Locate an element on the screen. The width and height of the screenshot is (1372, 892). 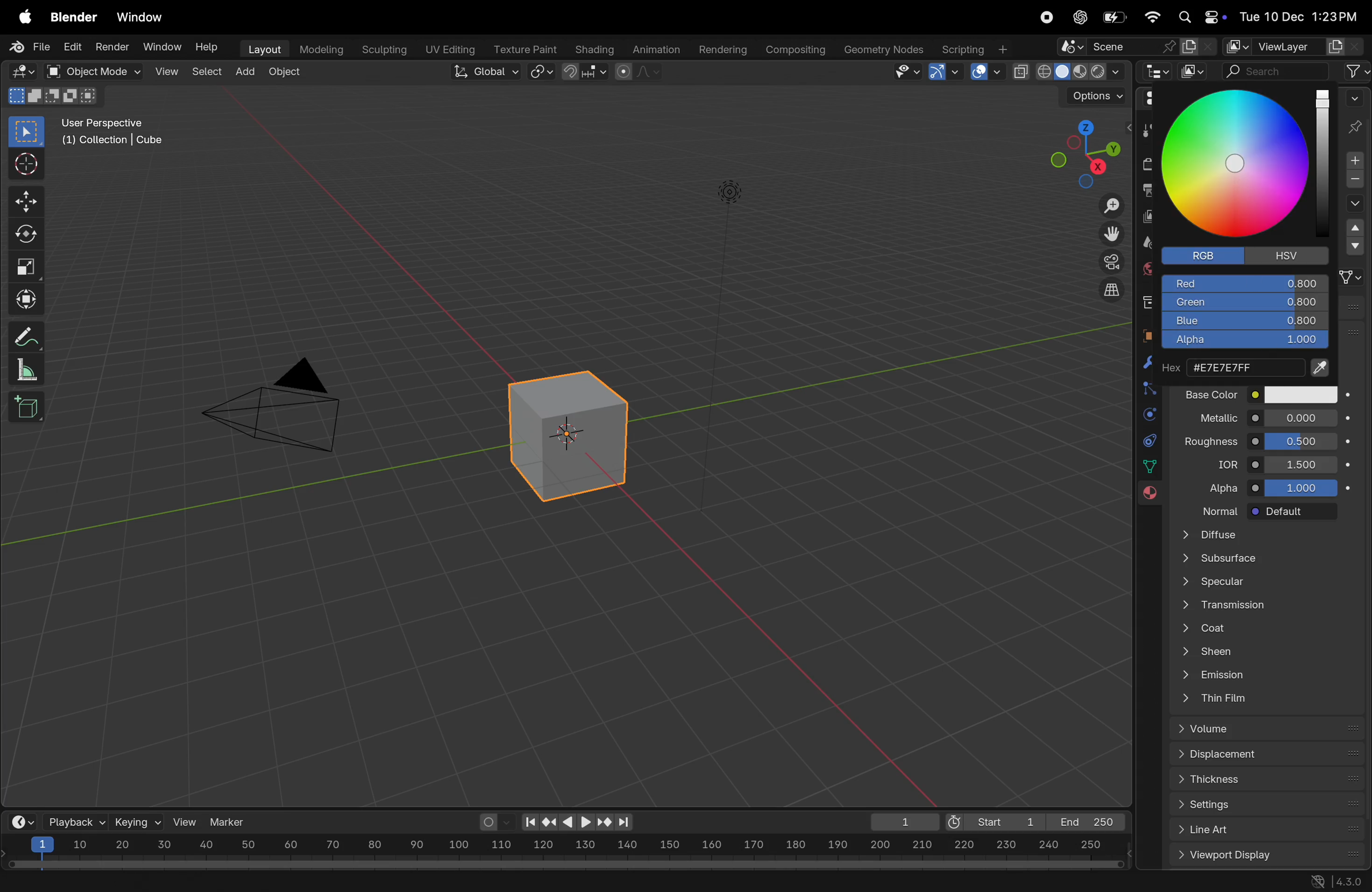
object mode is located at coordinates (88, 71).